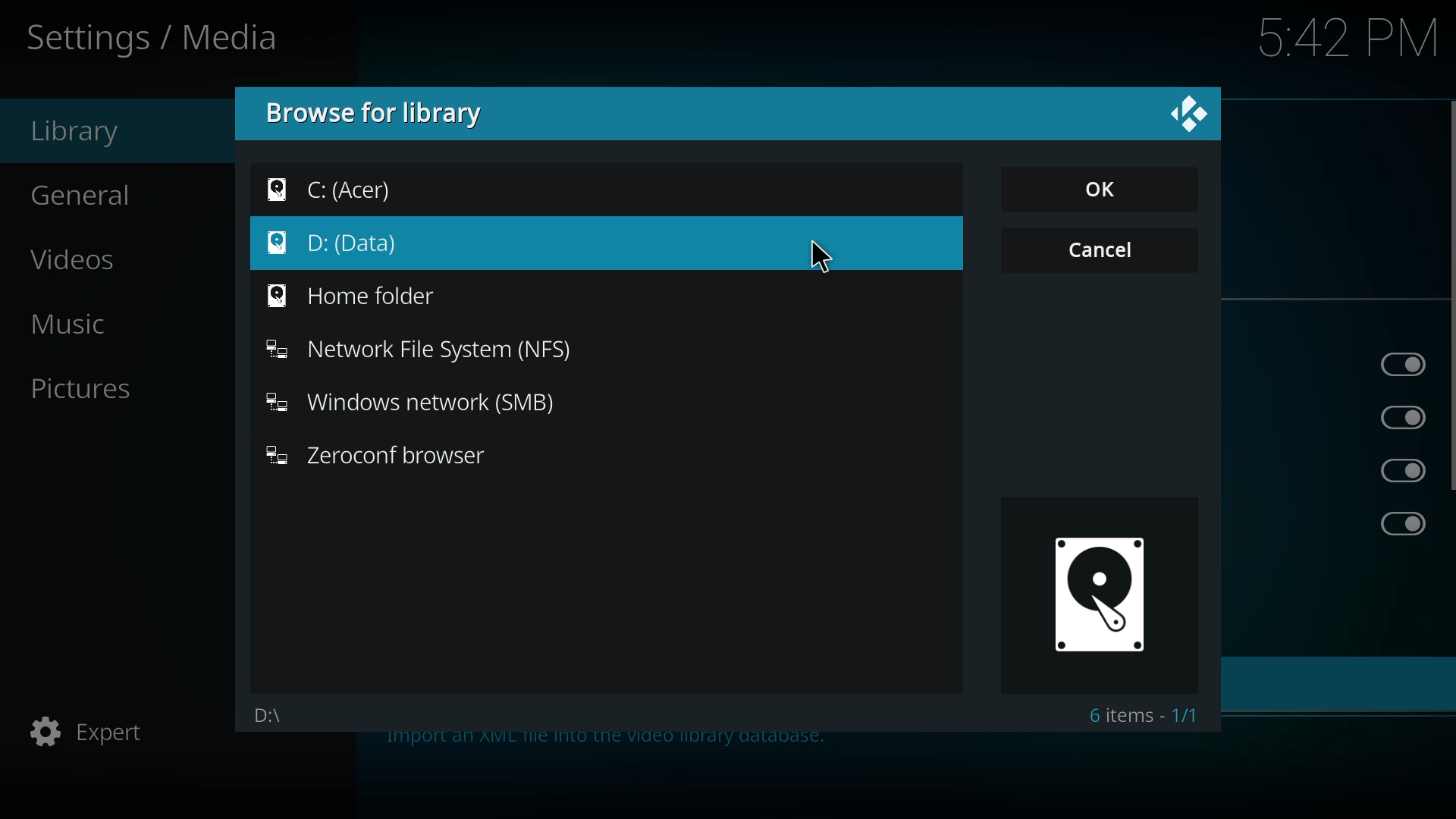  Describe the element at coordinates (1103, 188) in the screenshot. I see `ok` at that location.